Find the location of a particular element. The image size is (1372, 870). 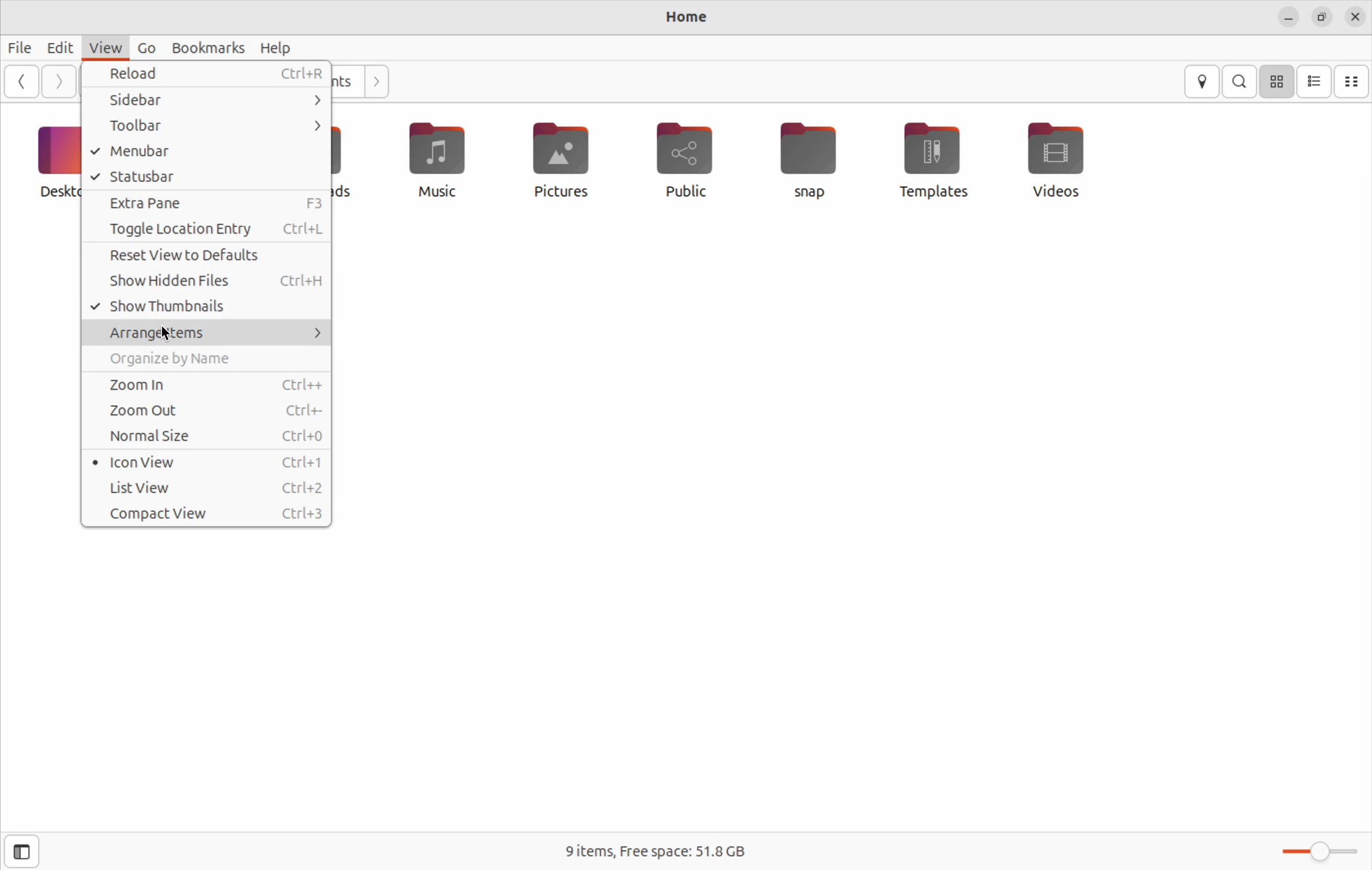

show thumb nails is located at coordinates (206, 305).